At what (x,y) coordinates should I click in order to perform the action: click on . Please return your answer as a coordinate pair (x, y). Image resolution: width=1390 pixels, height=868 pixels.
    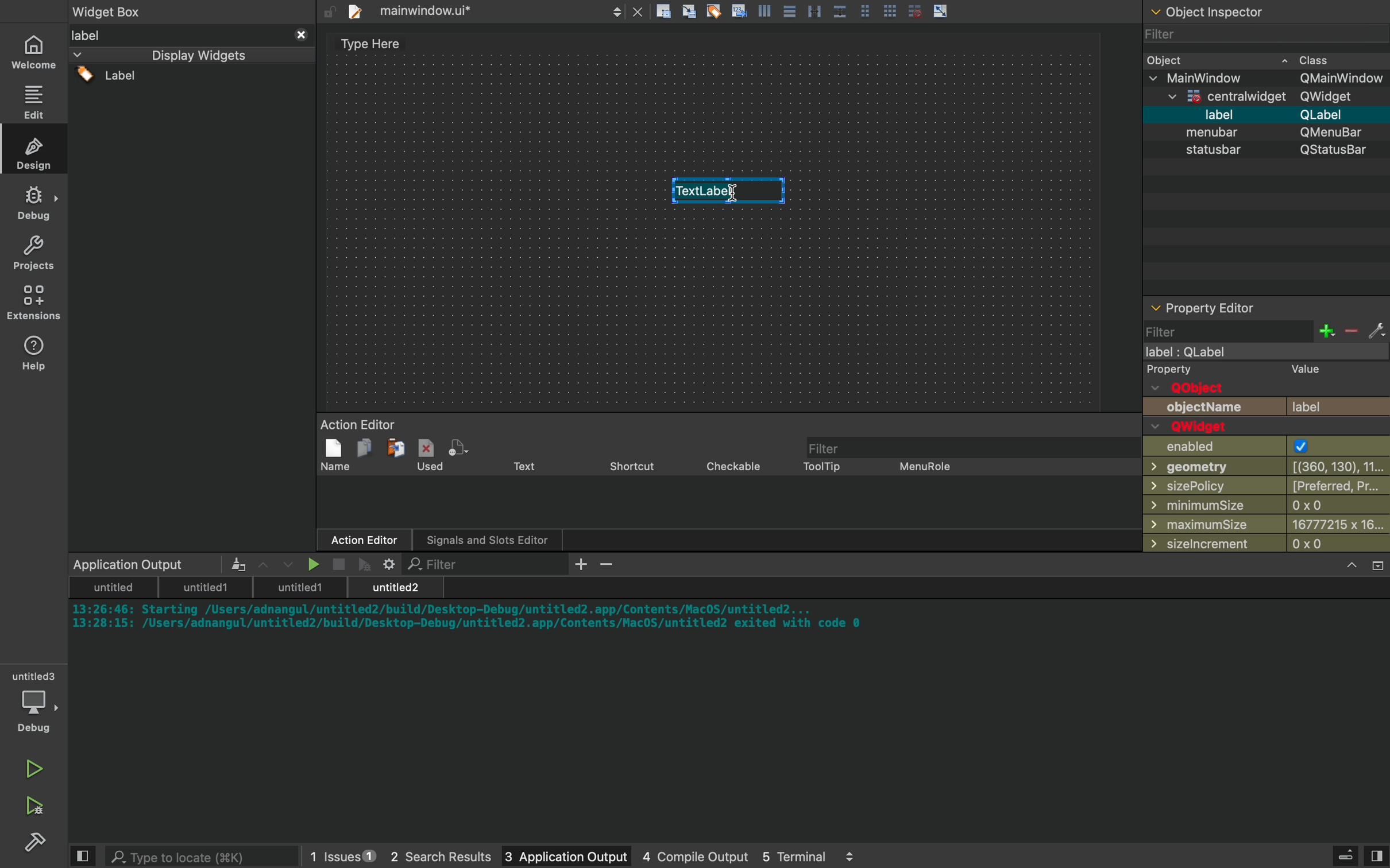
    Looking at the image, I should click on (1269, 79).